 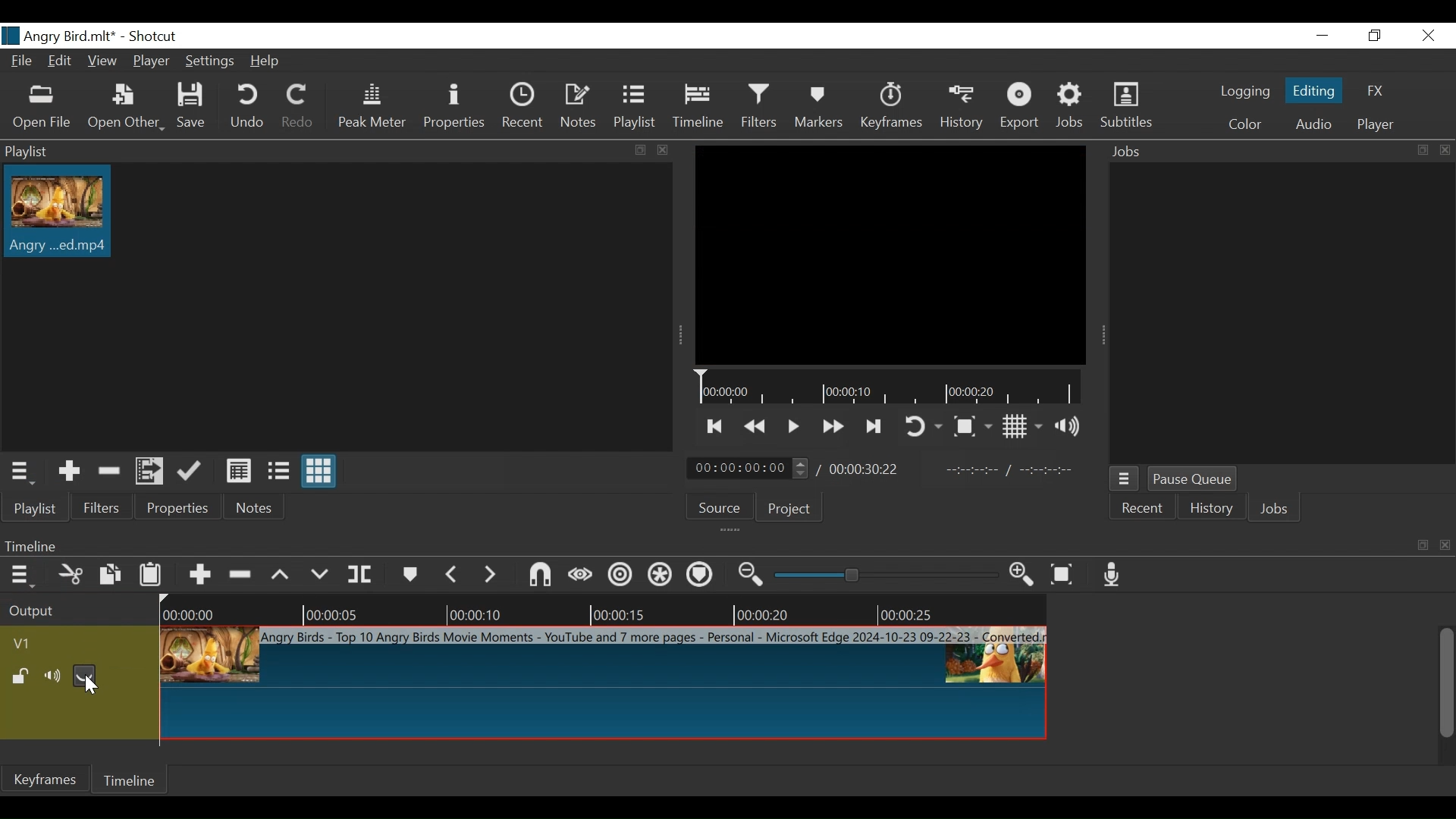 I want to click on Zoom timeline fit, so click(x=1061, y=574).